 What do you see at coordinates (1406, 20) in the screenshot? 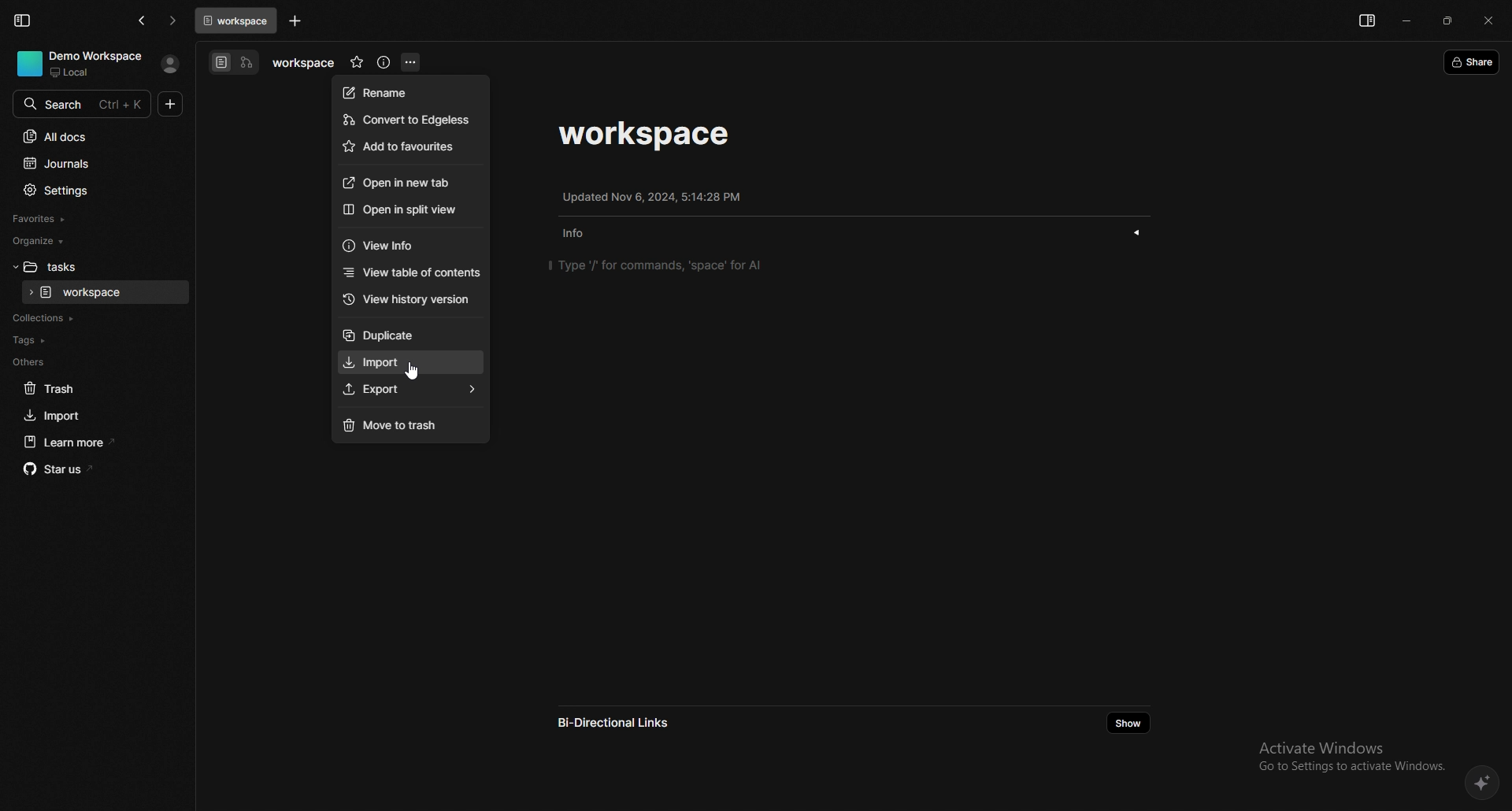
I see `minimize` at bounding box center [1406, 20].